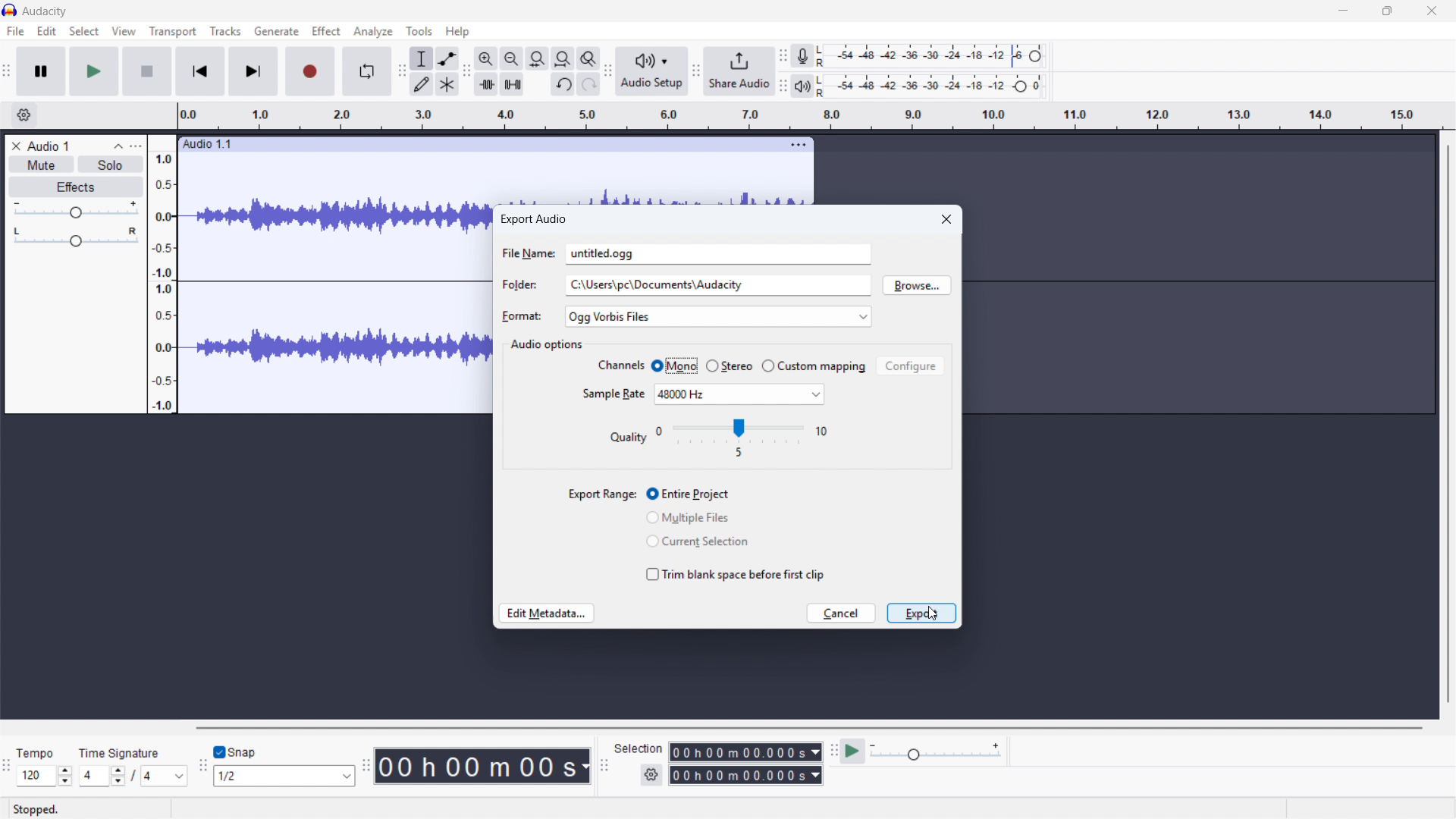 Image resolution: width=1456 pixels, height=819 pixels. Describe the element at coordinates (548, 345) in the screenshot. I see `Audio options ` at that location.